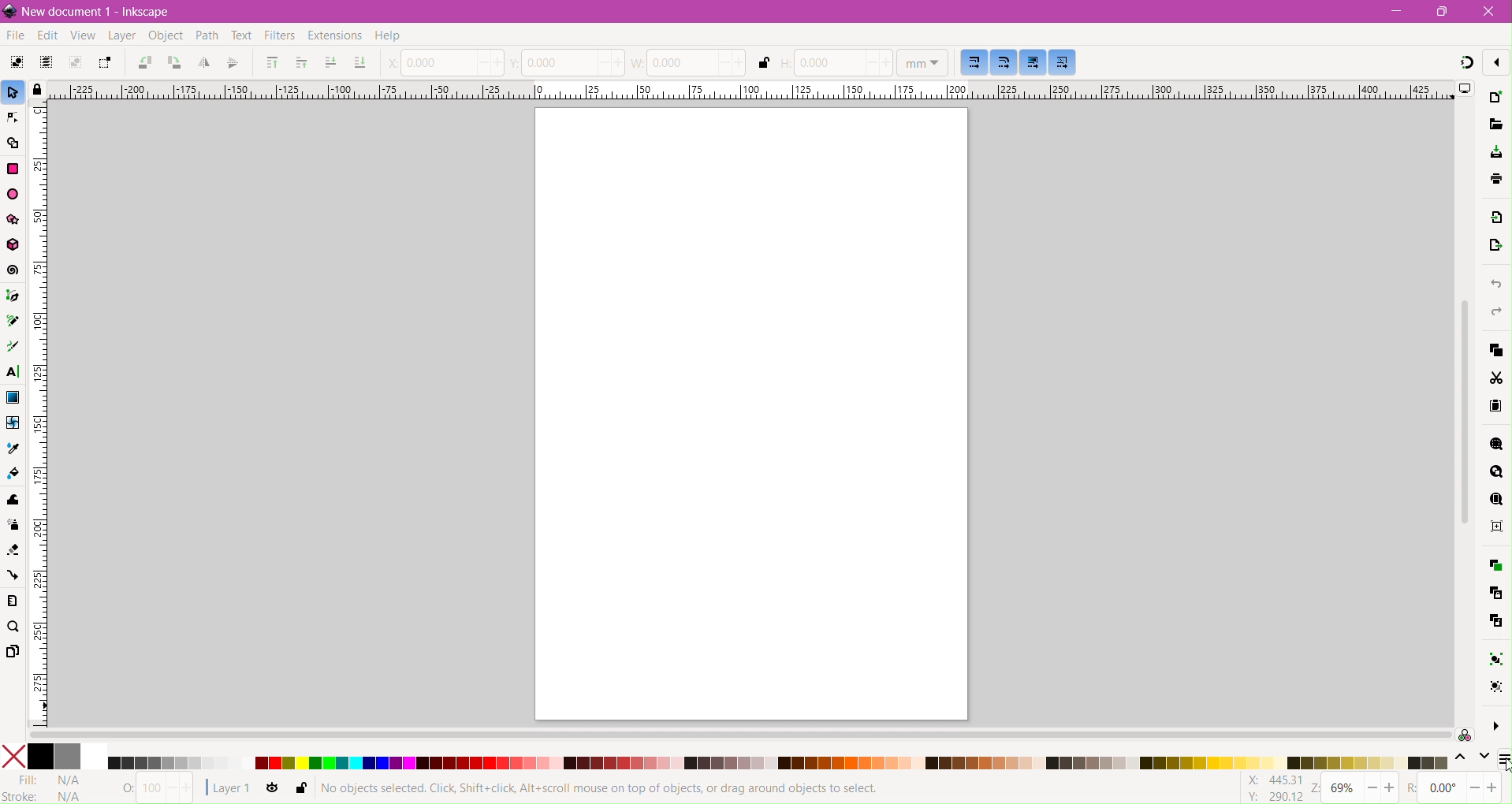 This screenshot has width=1512, height=804. Describe the element at coordinates (1495, 529) in the screenshot. I see `Zoom Center Page` at that location.